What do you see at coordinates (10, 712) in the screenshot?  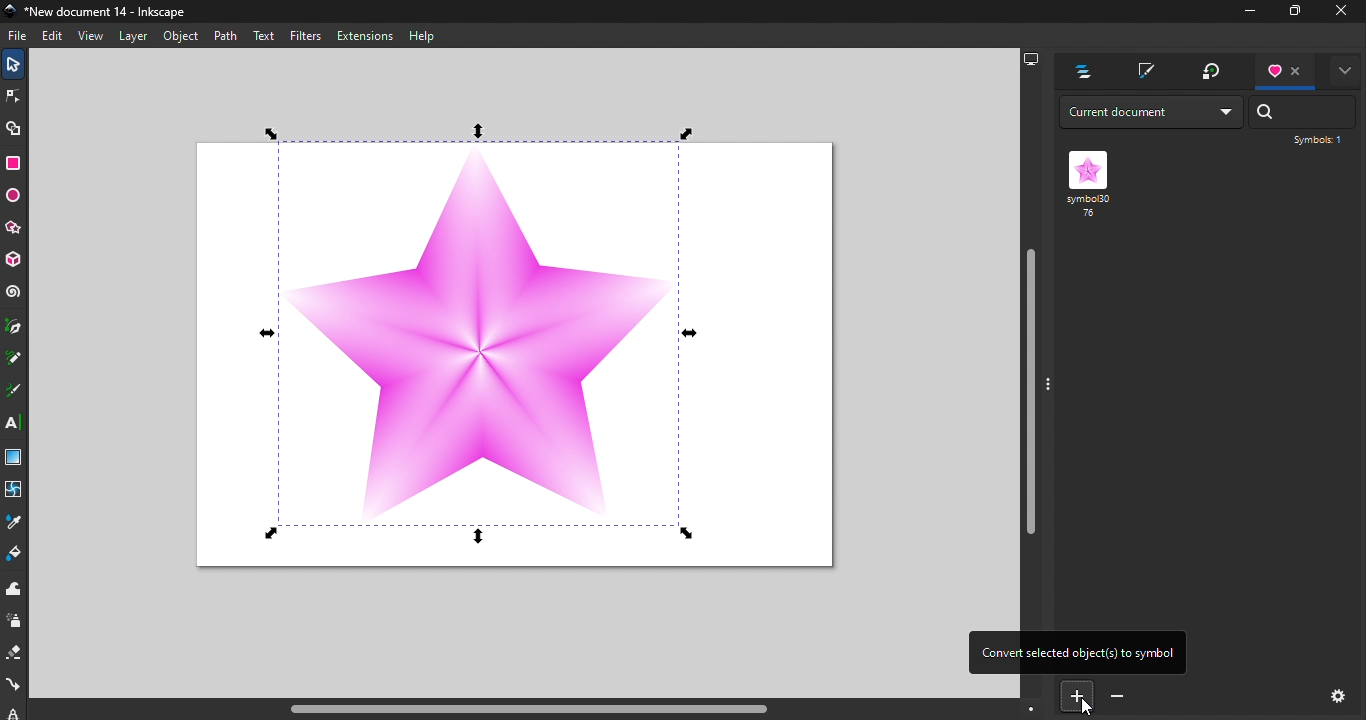 I see `lpe` at bounding box center [10, 712].